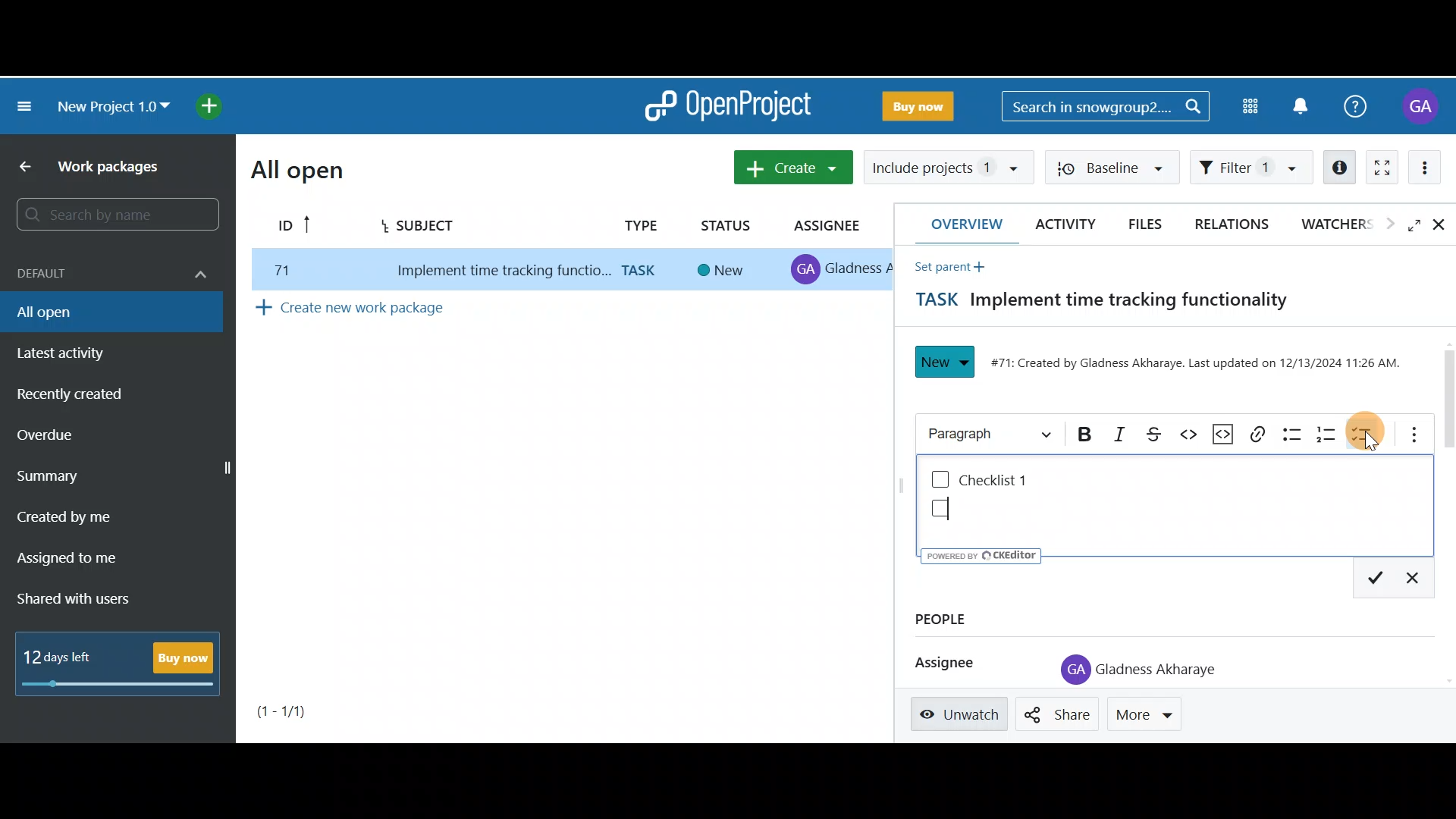 The image size is (1456, 819). I want to click on profile icon, so click(1066, 670).